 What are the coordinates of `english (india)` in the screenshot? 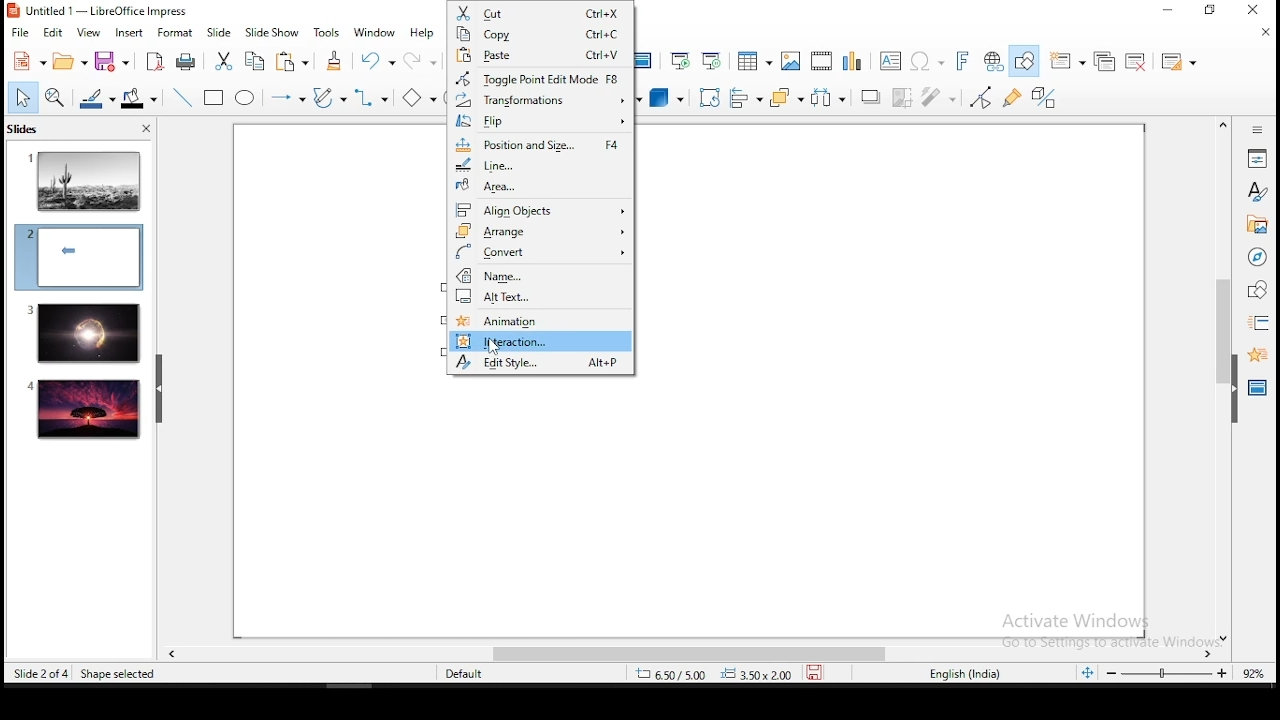 It's located at (967, 674).